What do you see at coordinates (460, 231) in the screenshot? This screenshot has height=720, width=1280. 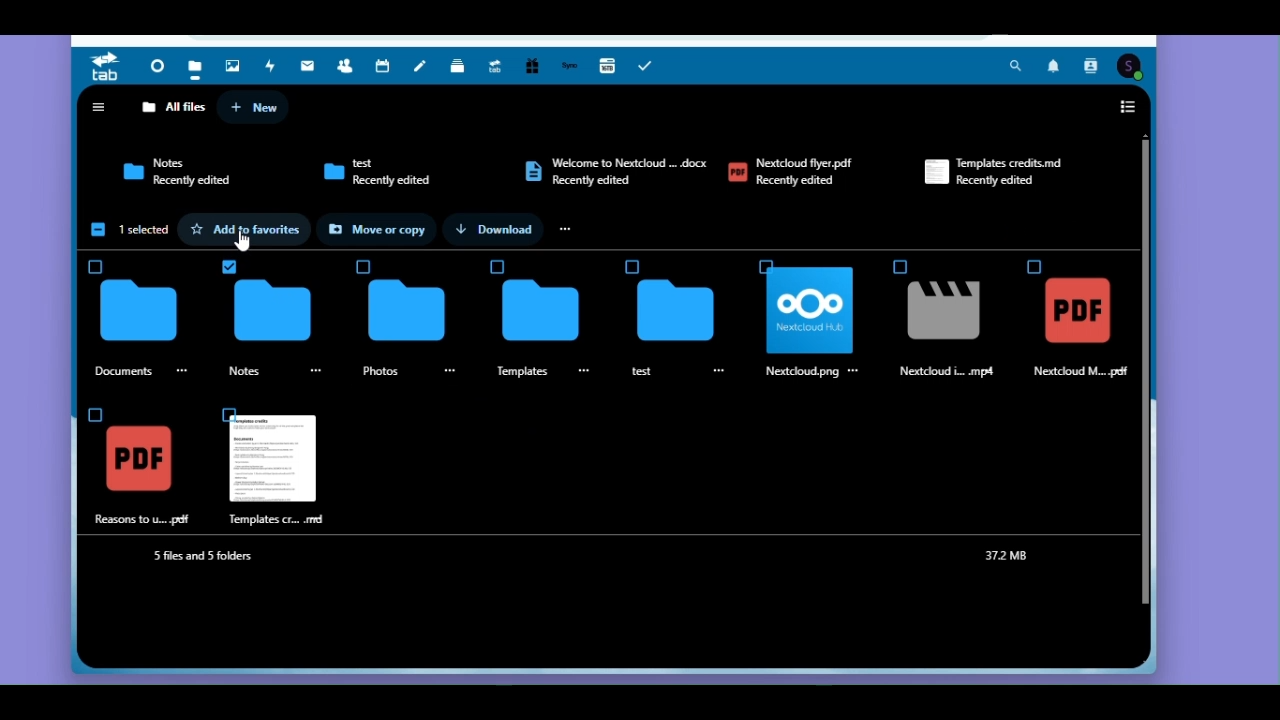 I see `Icon` at bounding box center [460, 231].